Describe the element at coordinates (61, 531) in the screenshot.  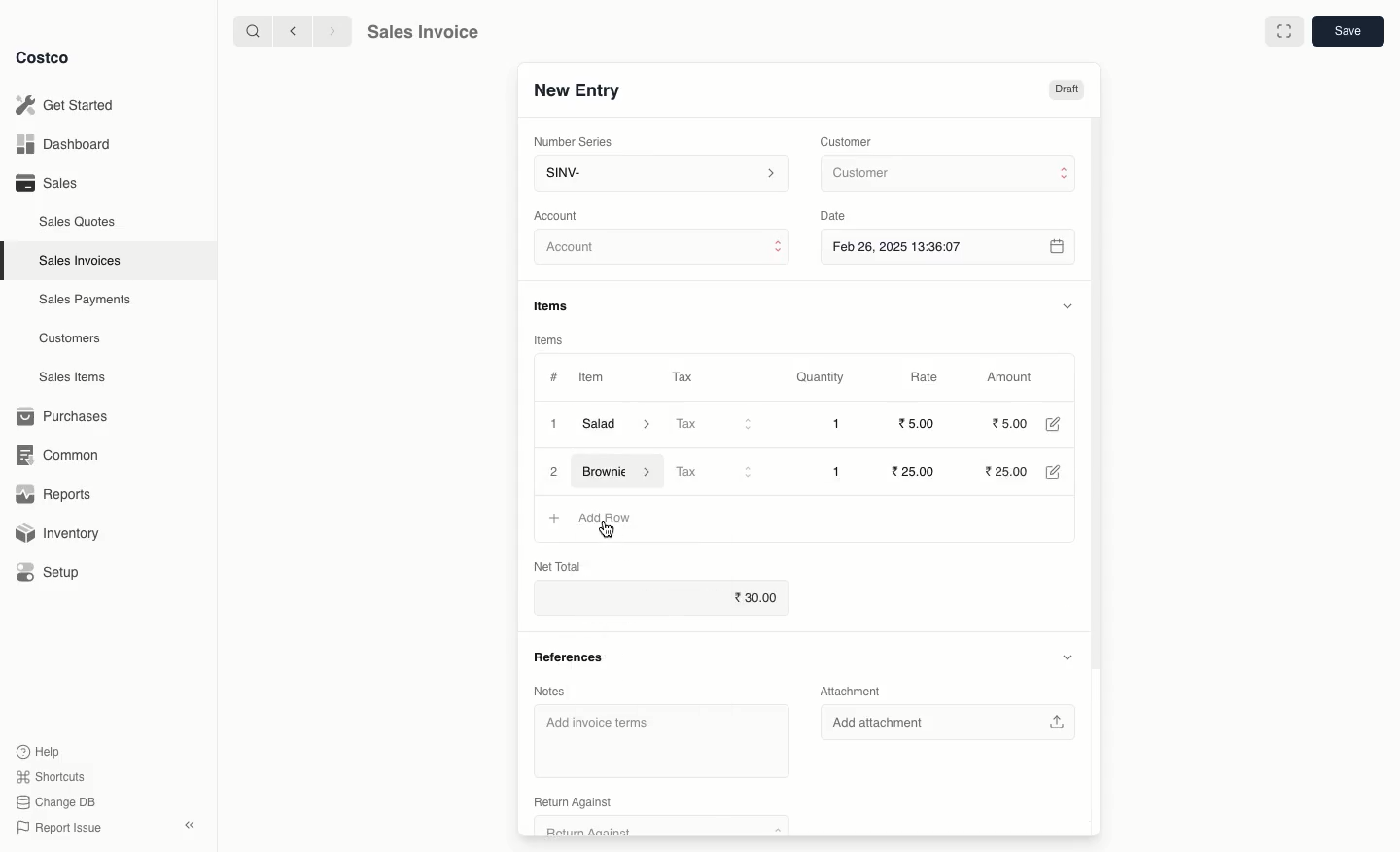
I see `Inventory` at that location.